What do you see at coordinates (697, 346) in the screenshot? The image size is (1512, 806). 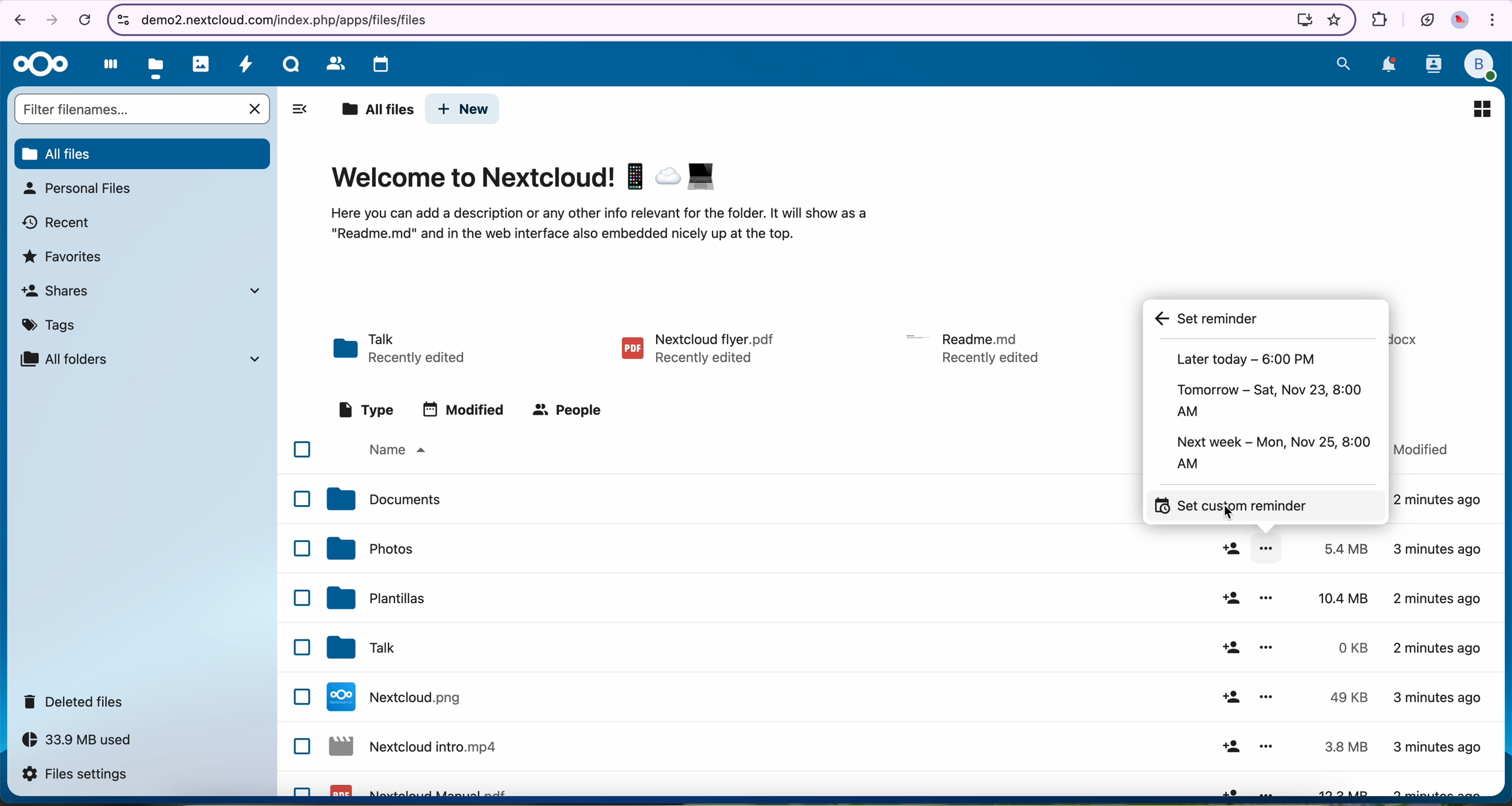 I see `pdf file` at bounding box center [697, 346].